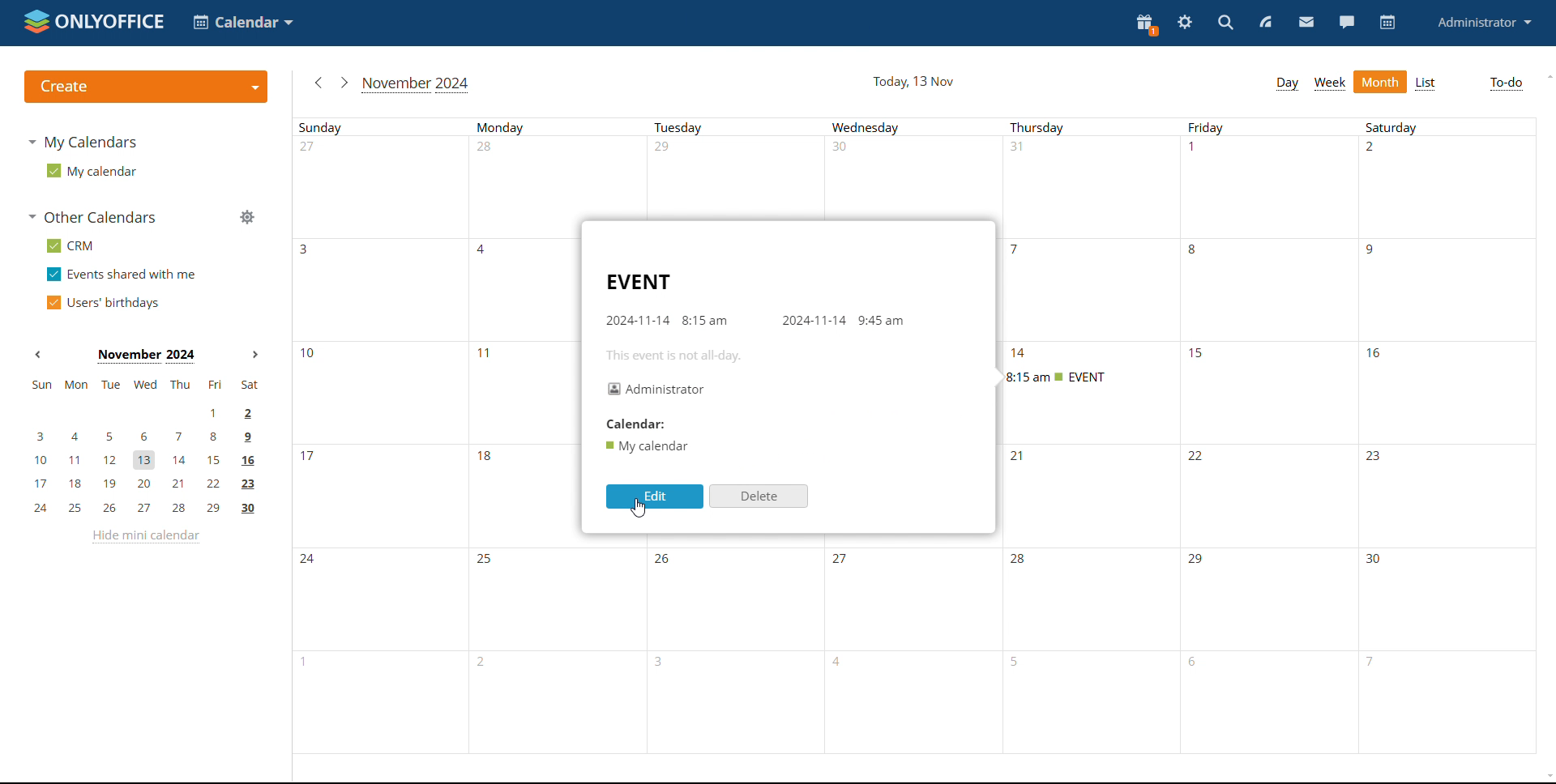 This screenshot has height=784, width=1556. I want to click on unallocated time slots, so click(435, 496).